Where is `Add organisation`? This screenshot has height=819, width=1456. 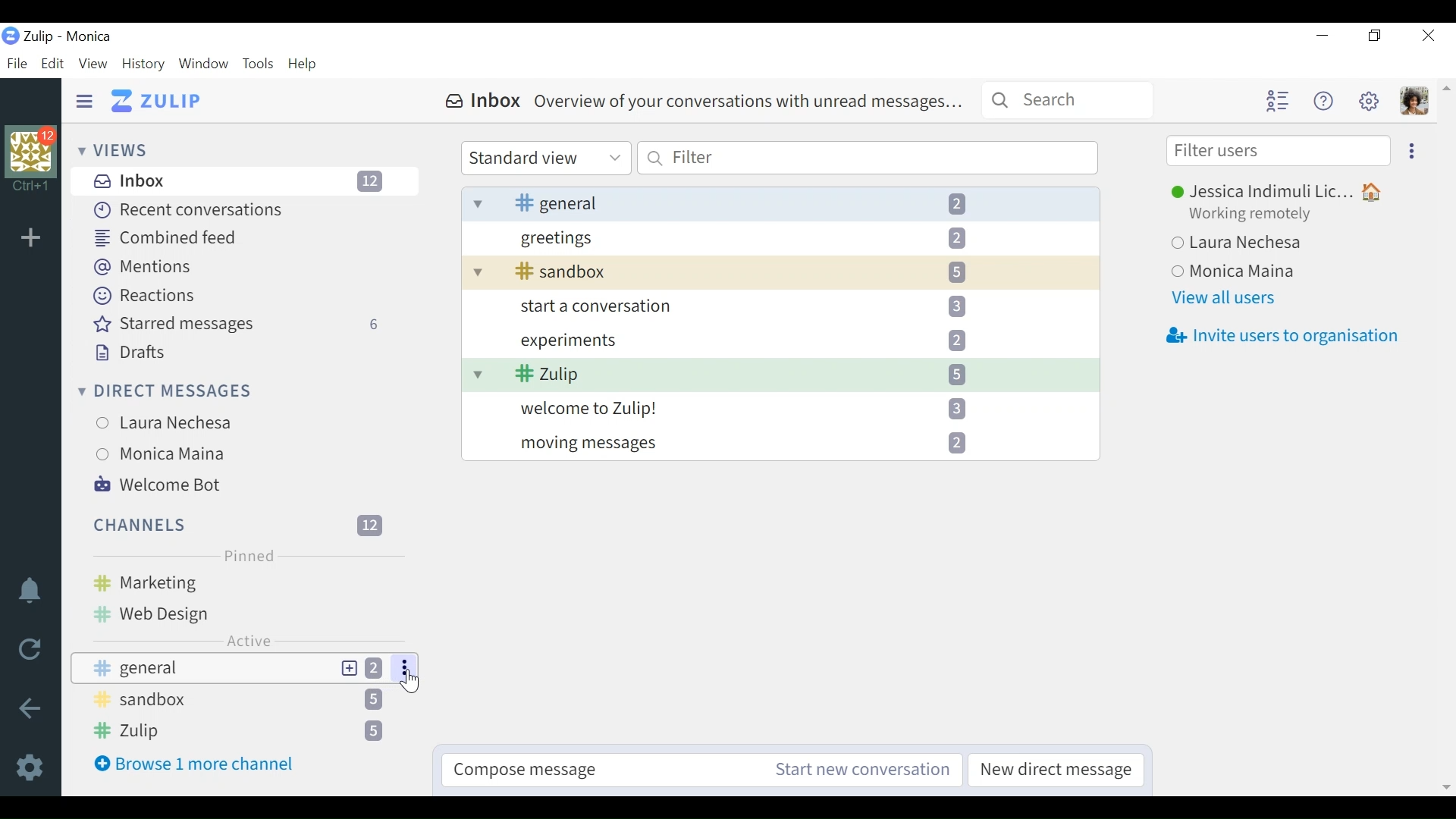 Add organisation is located at coordinates (34, 239).